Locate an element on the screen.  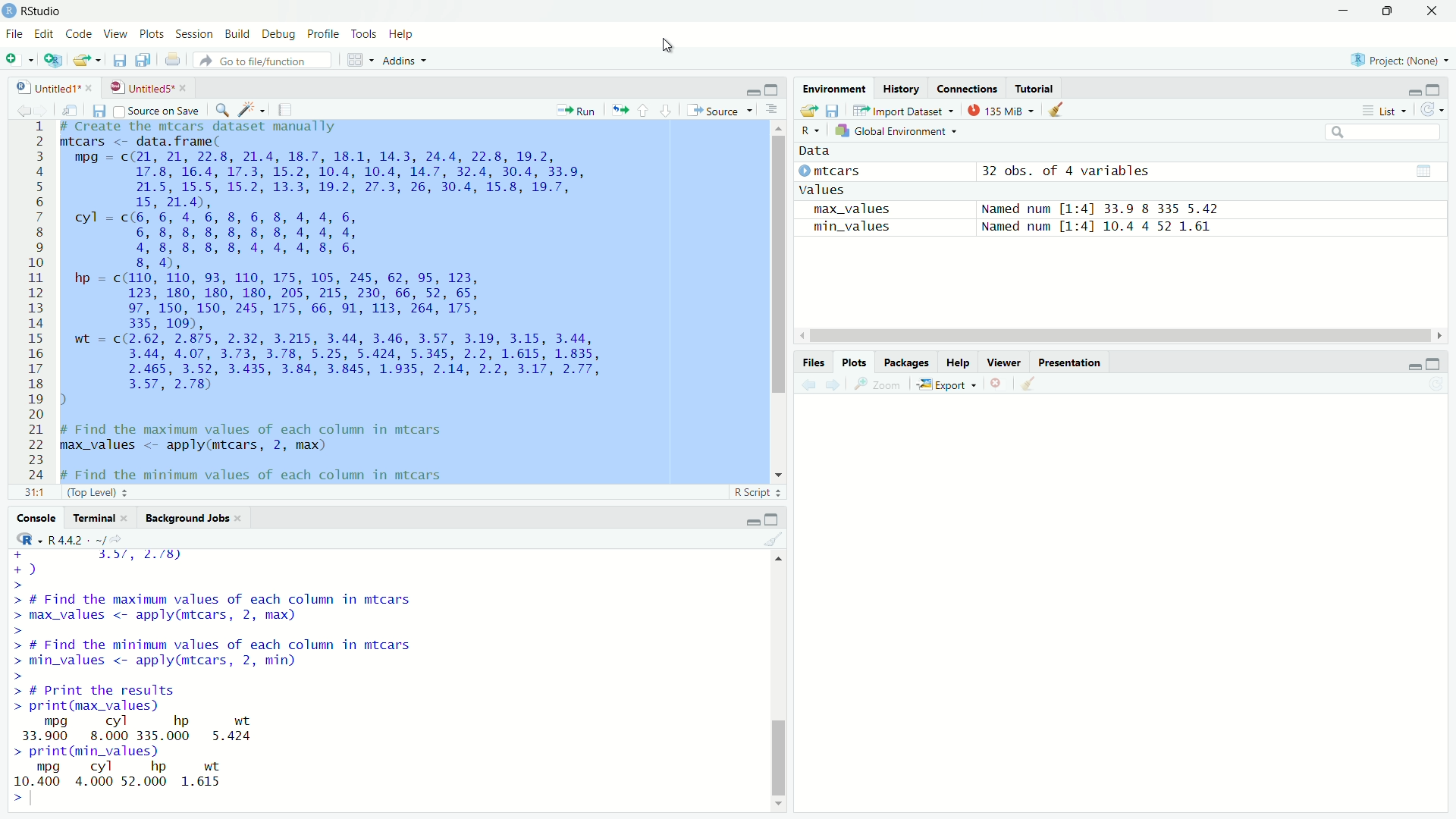
‘Connections is located at coordinates (968, 88).